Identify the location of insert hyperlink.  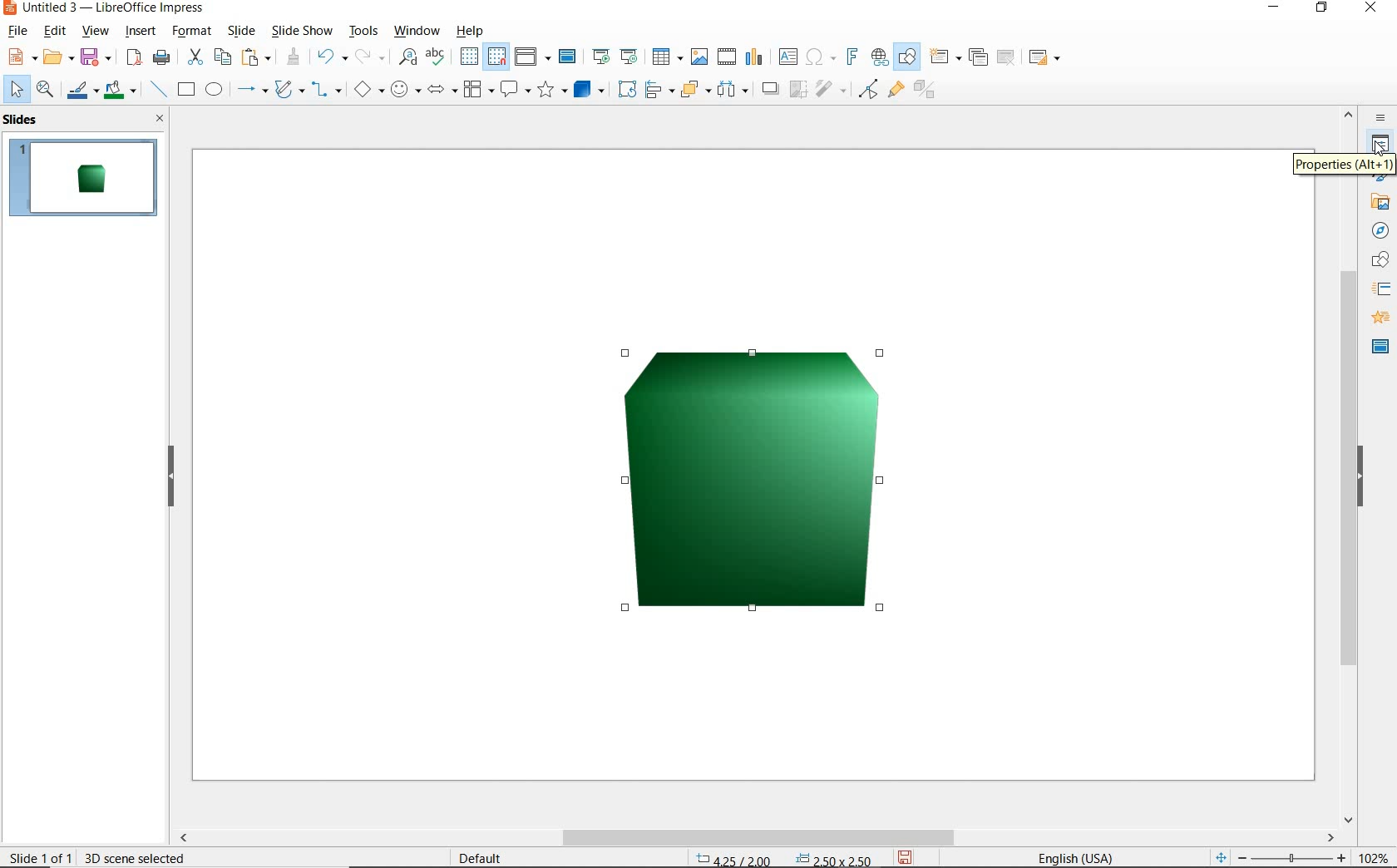
(880, 56).